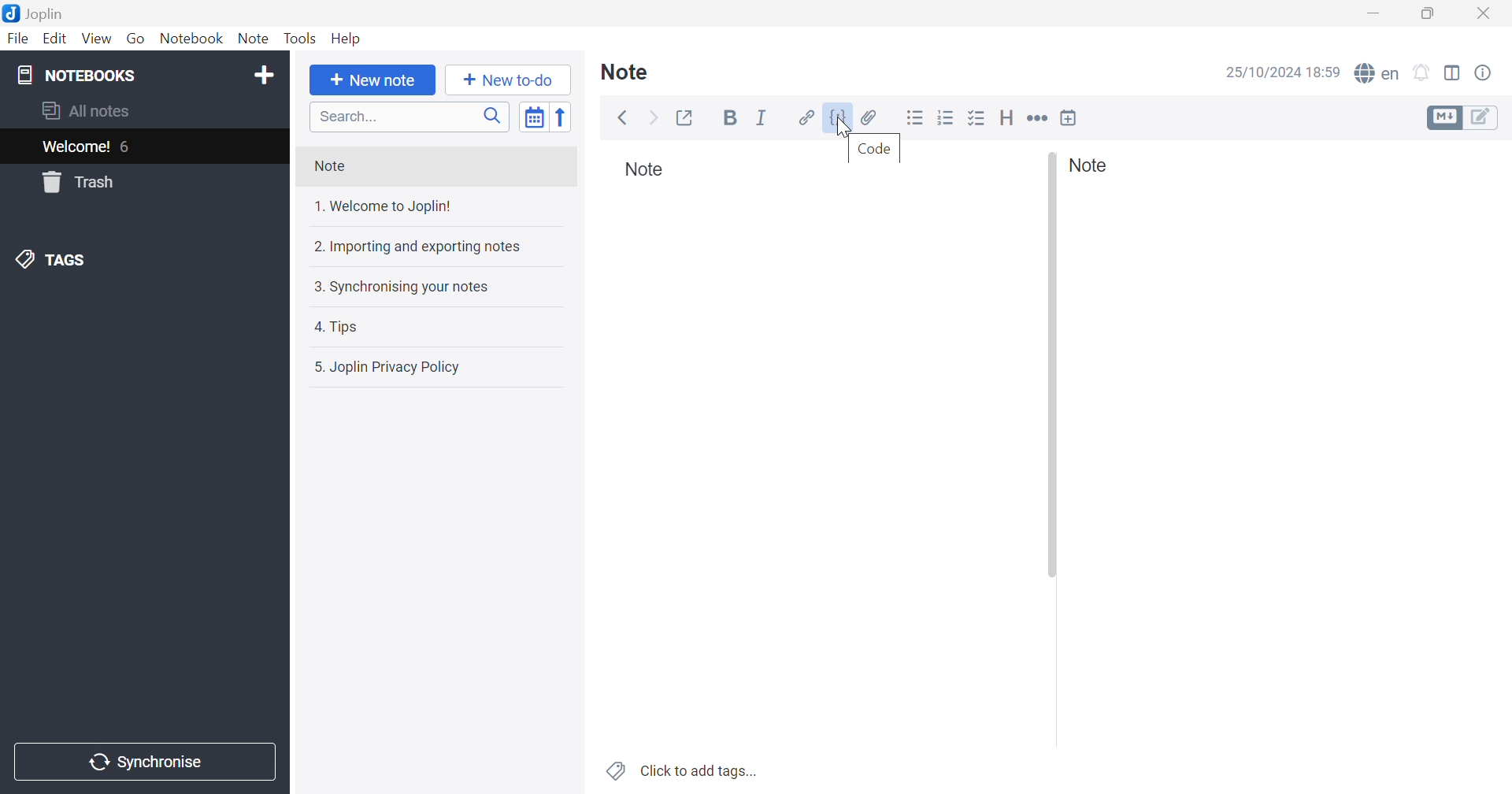 The width and height of the screenshot is (1512, 794). I want to click on Note, so click(329, 169).